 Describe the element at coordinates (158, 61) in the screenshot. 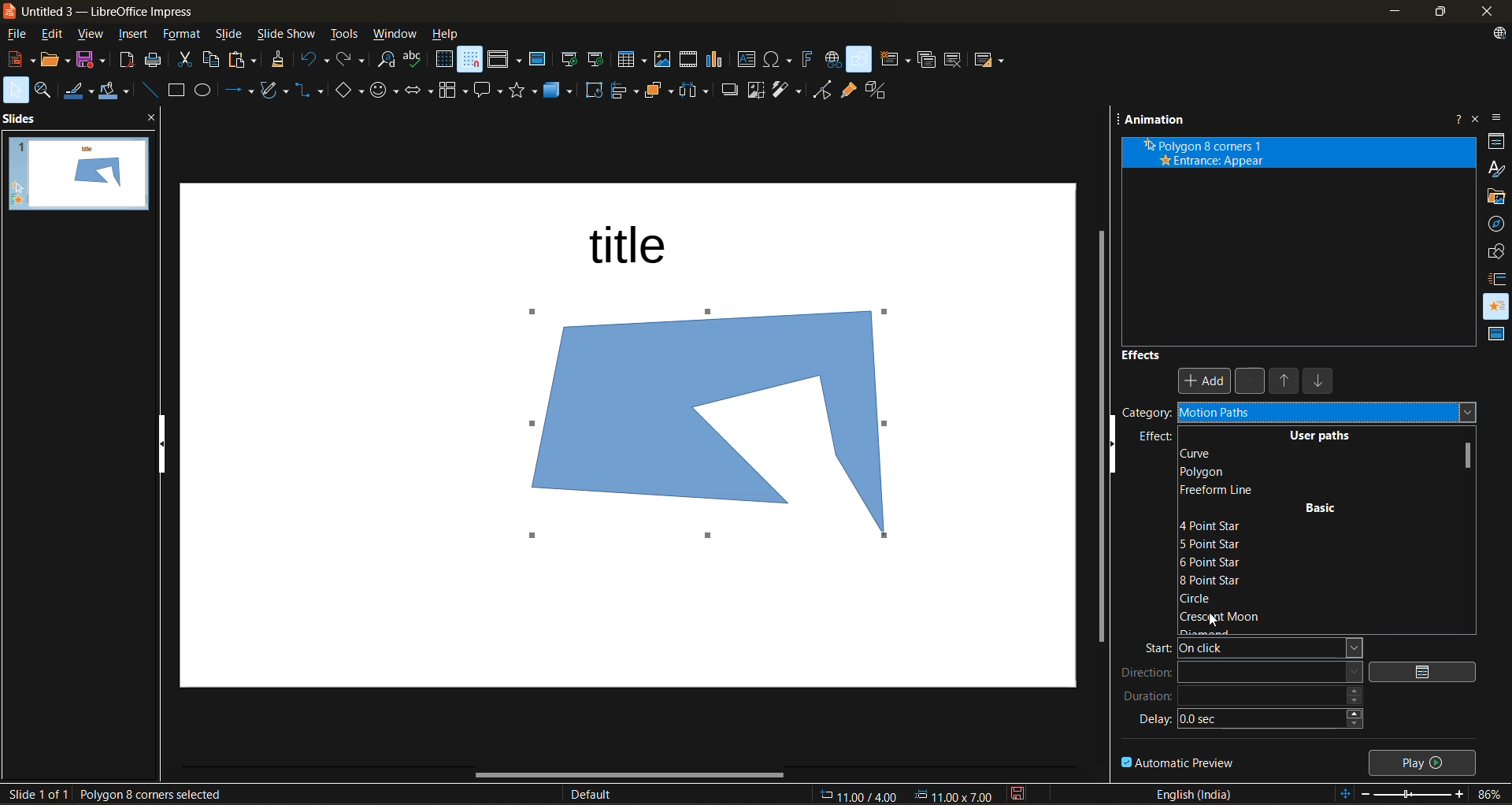

I see `print` at that location.